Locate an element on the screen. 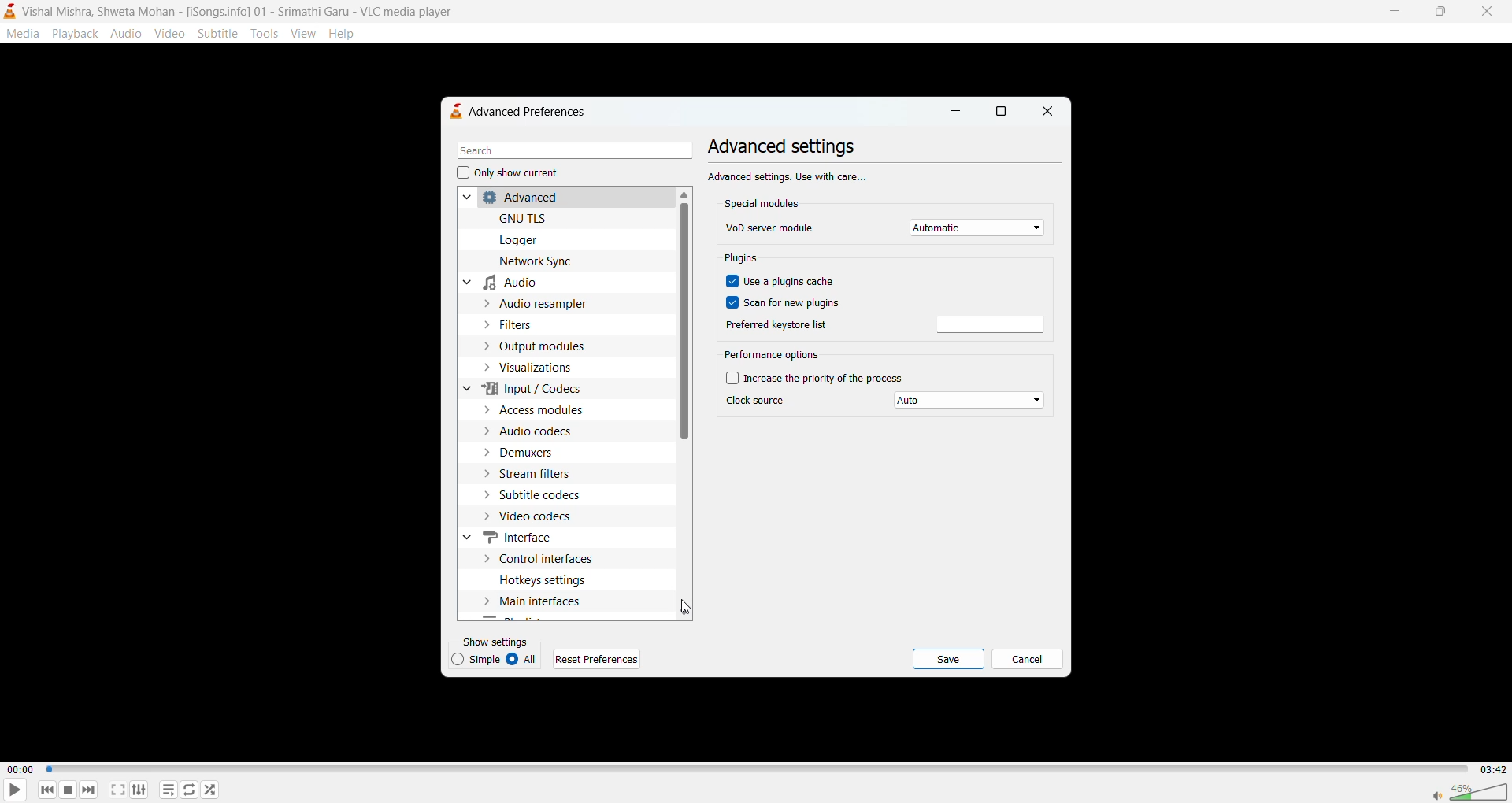 The width and height of the screenshot is (1512, 803). subtitle is located at coordinates (218, 33).